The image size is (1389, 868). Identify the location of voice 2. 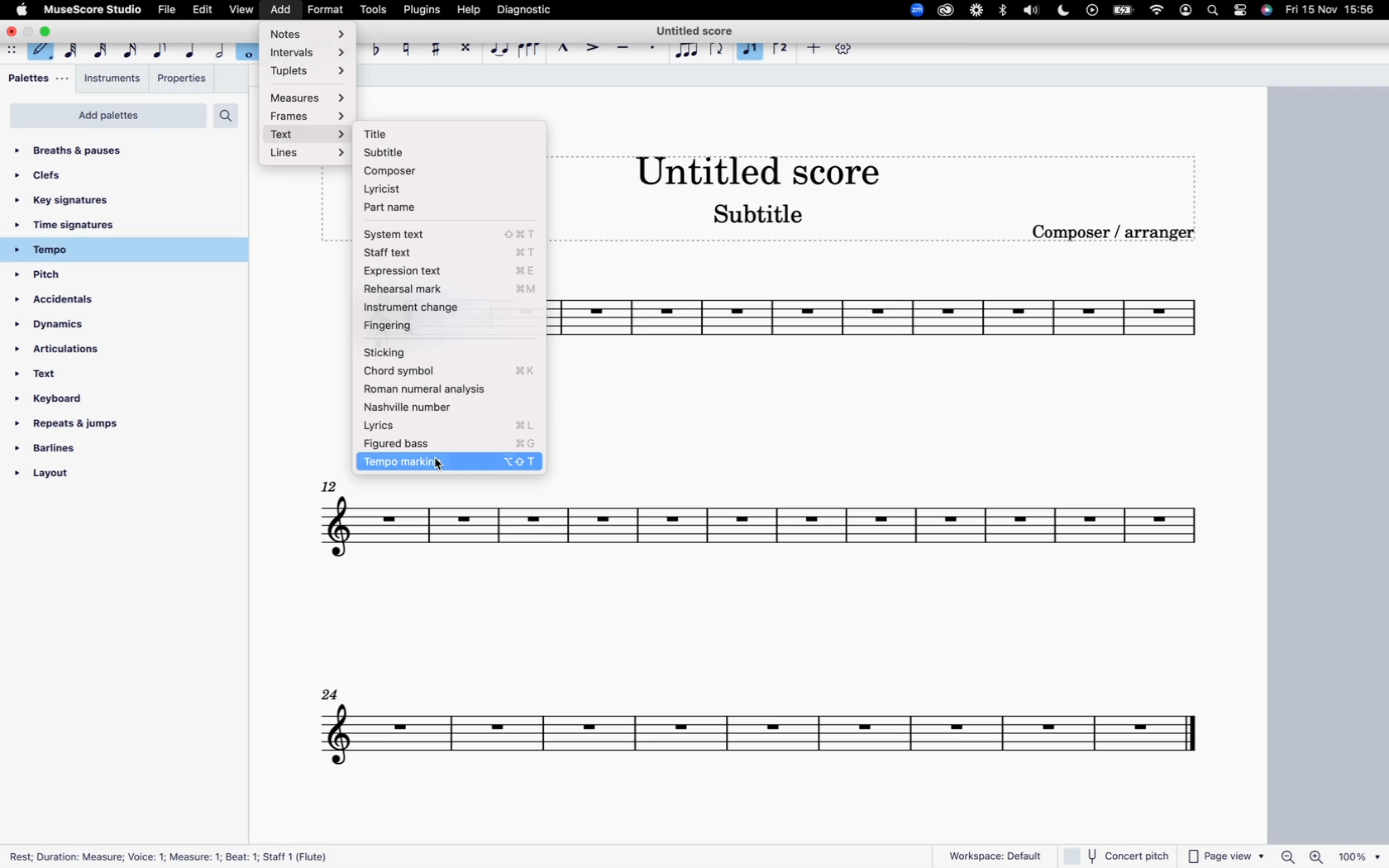
(780, 50).